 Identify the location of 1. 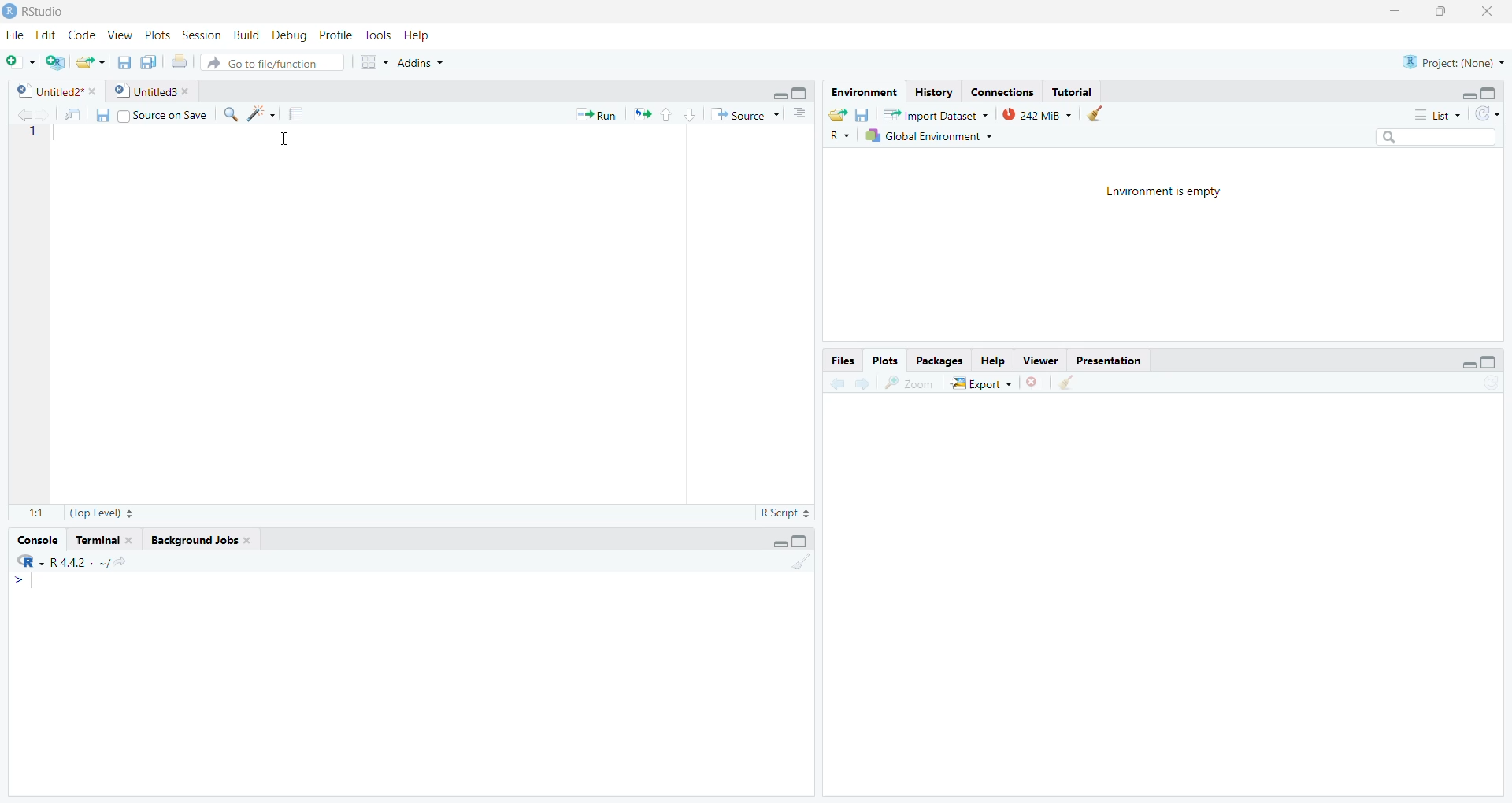
(31, 134).